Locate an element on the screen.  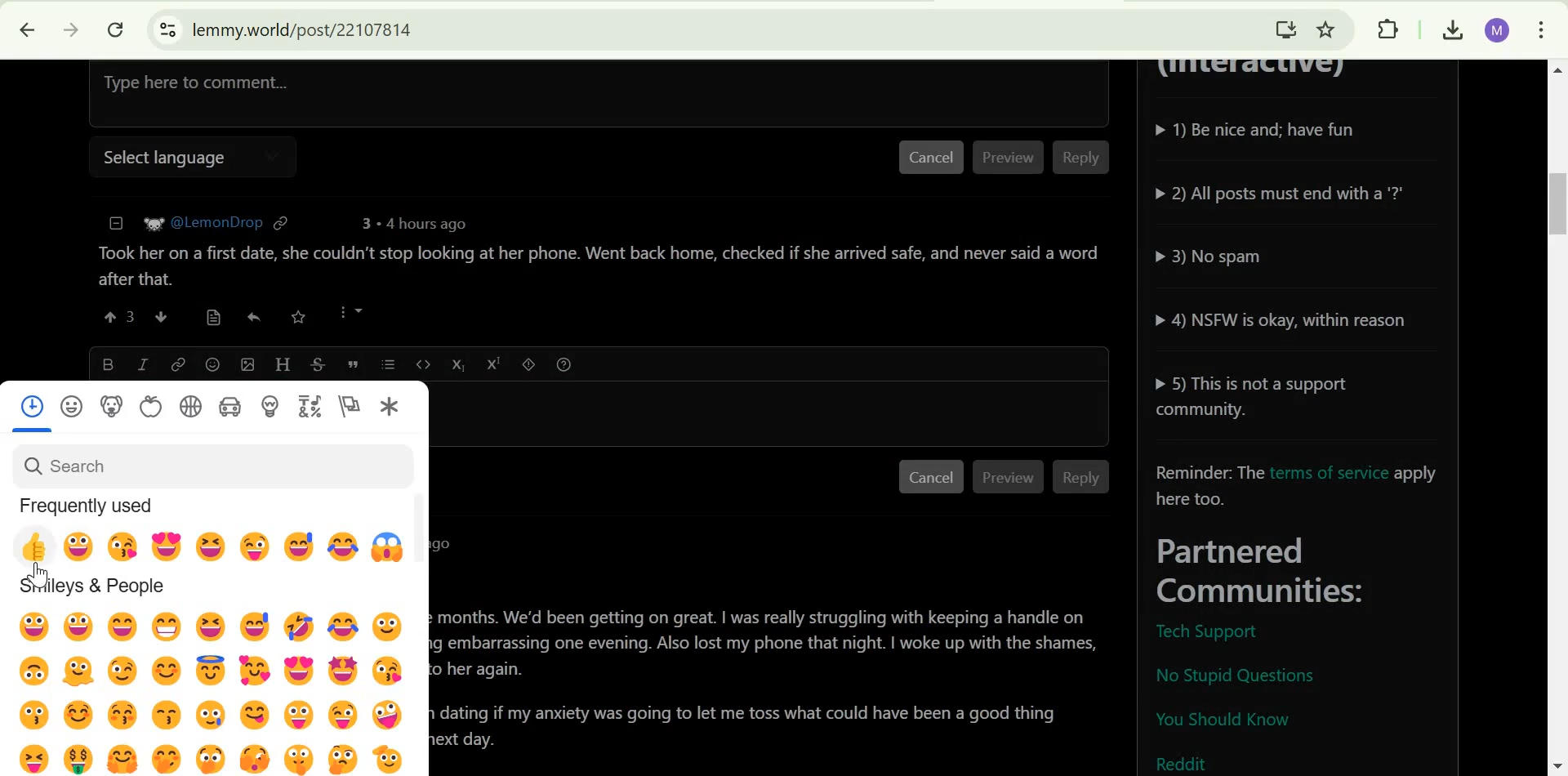
click to go forward, hold to see history is located at coordinates (67, 30).